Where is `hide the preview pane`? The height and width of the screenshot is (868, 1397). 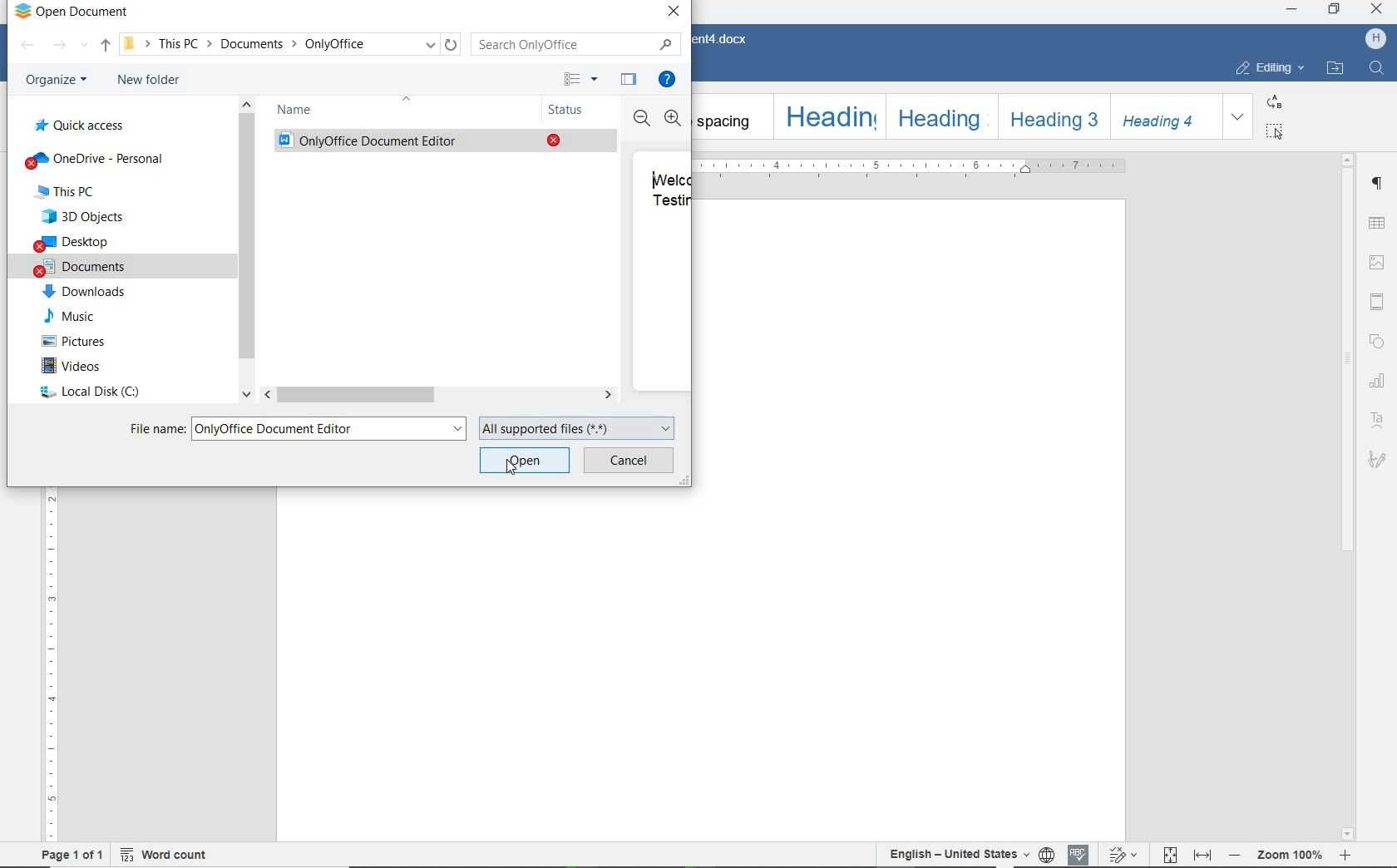
hide the preview pane is located at coordinates (627, 78).